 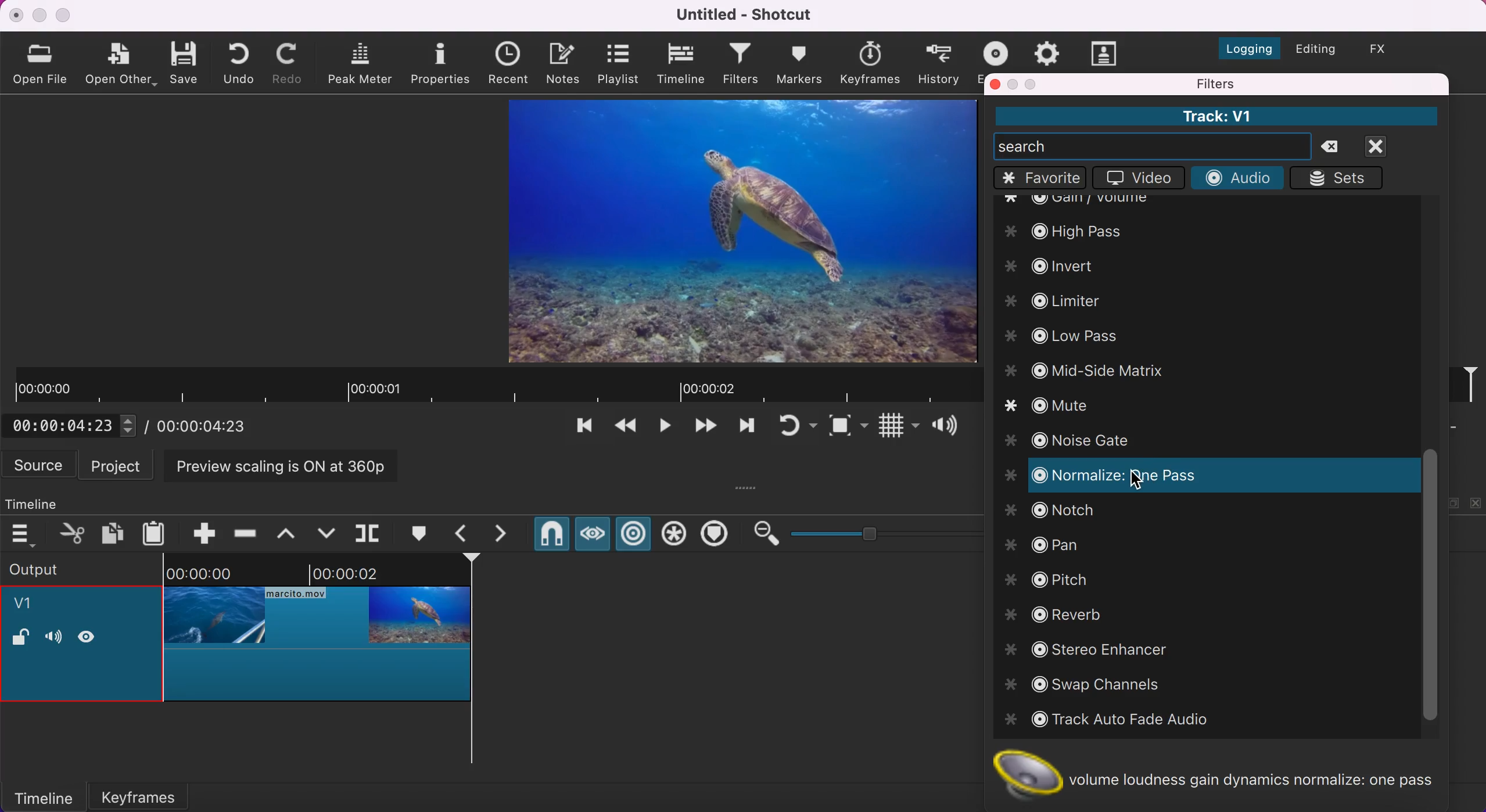 I want to click on previous marker, so click(x=465, y=533).